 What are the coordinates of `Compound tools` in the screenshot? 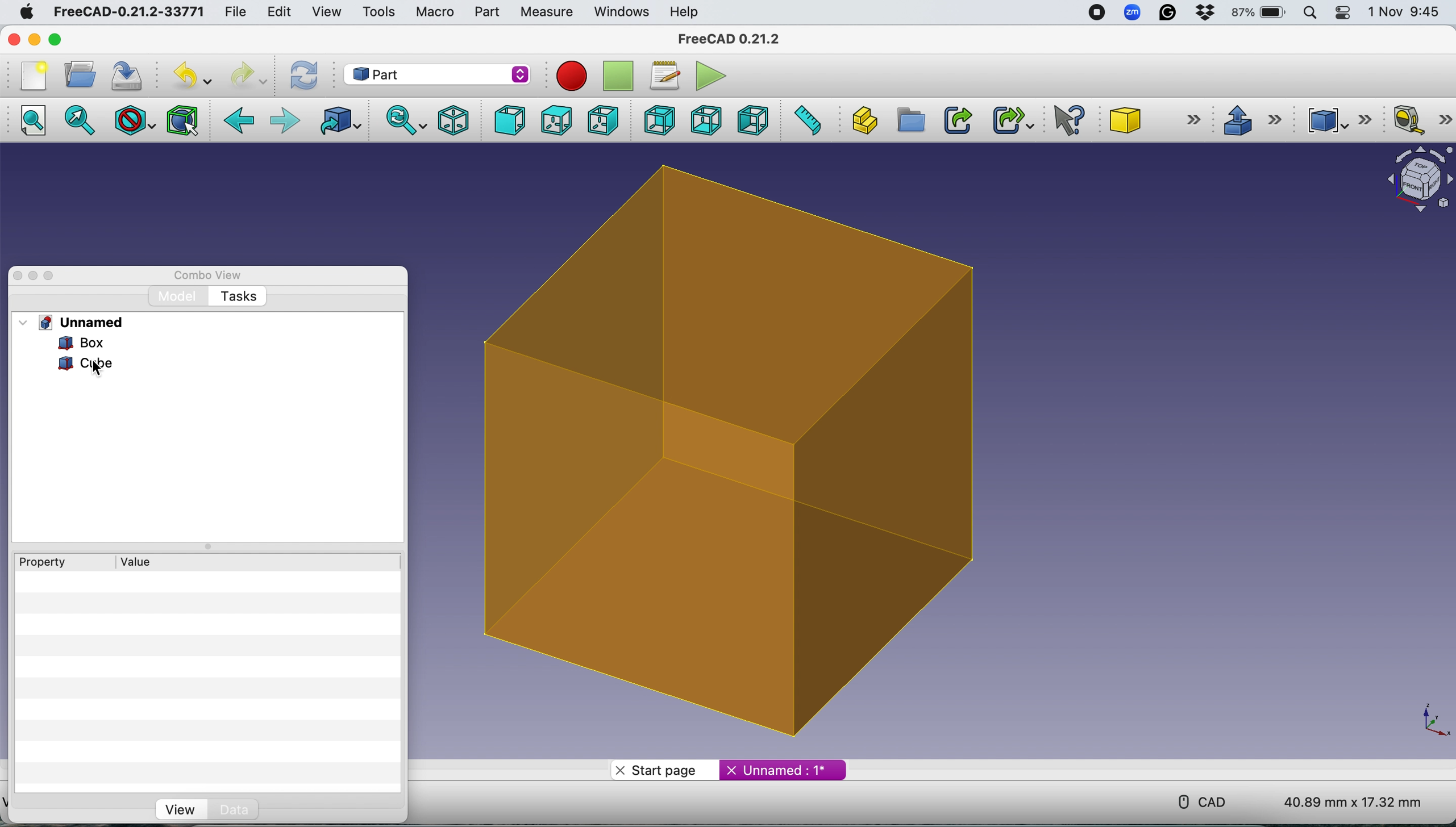 It's located at (1336, 120).